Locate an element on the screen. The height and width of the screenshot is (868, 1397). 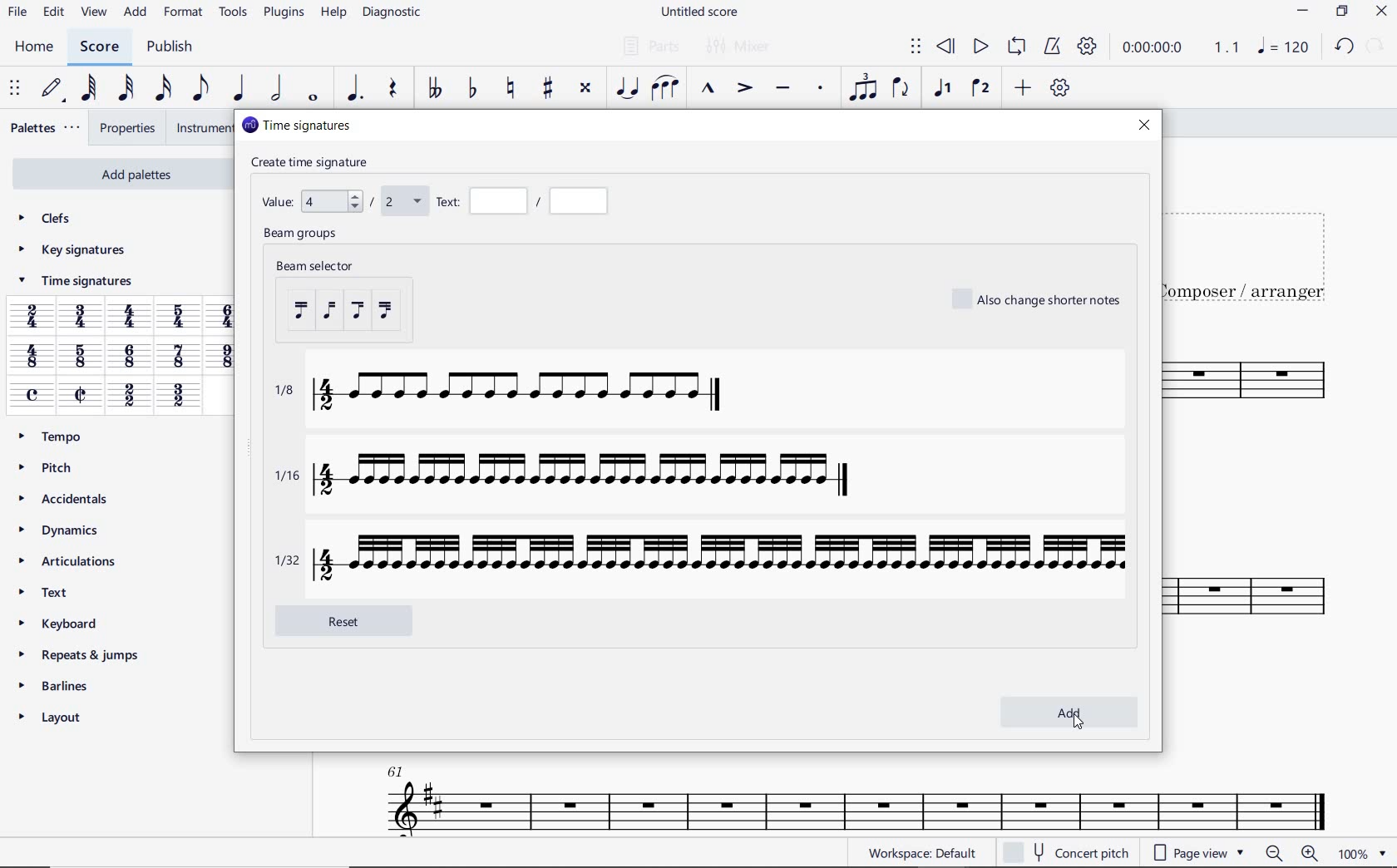
CUSTOMIZE TOOLBAR is located at coordinates (1058, 87).